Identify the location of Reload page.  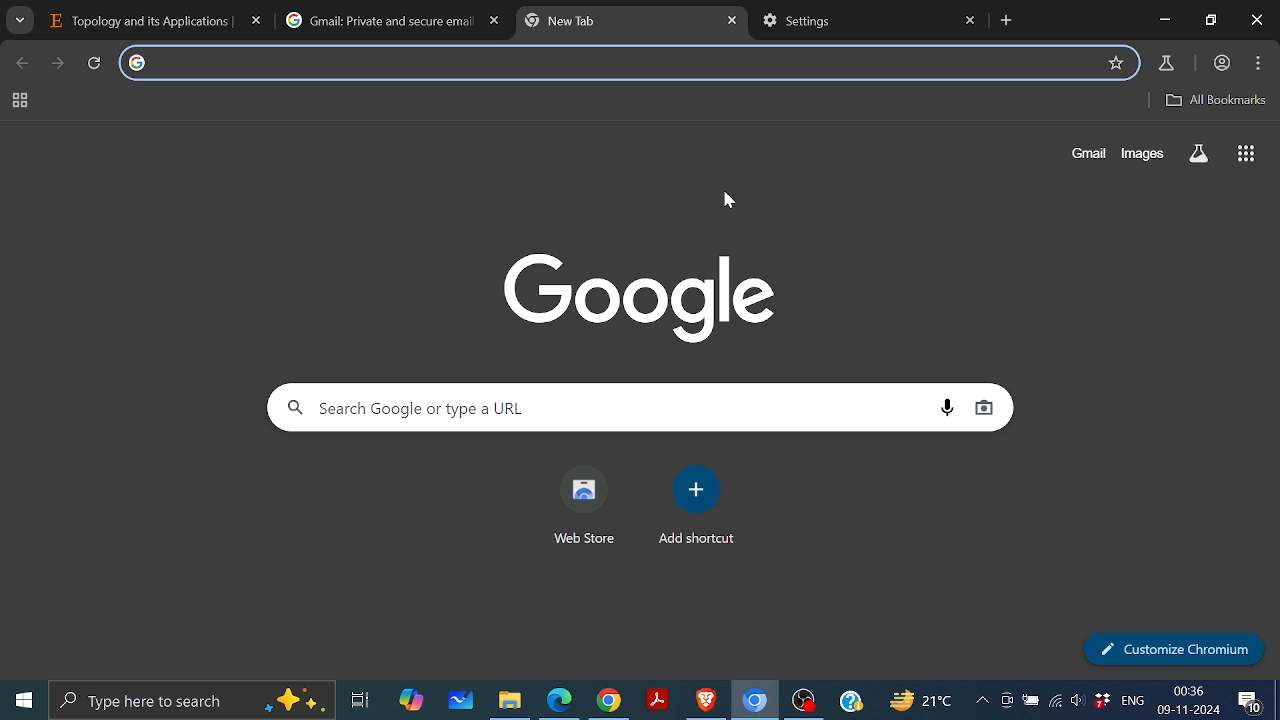
(95, 62).